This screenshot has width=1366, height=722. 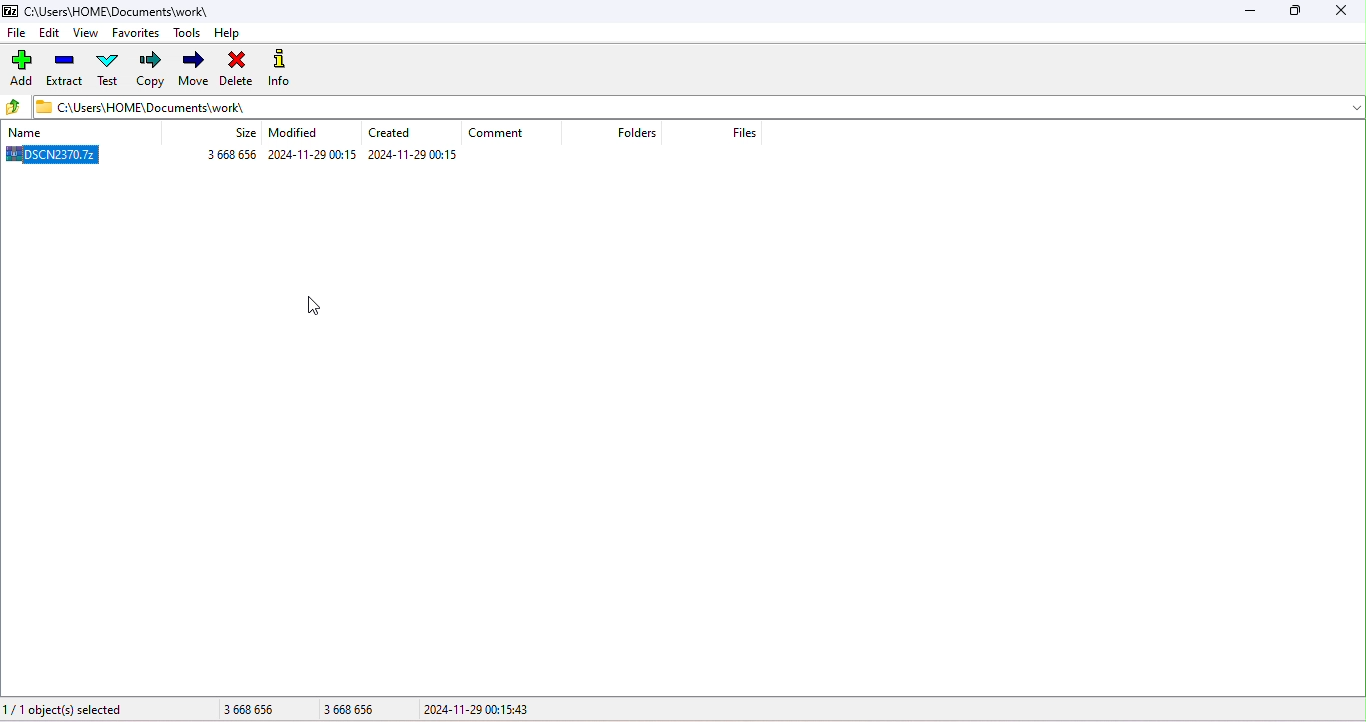 I want to click on view, so click(x=85, y=32).